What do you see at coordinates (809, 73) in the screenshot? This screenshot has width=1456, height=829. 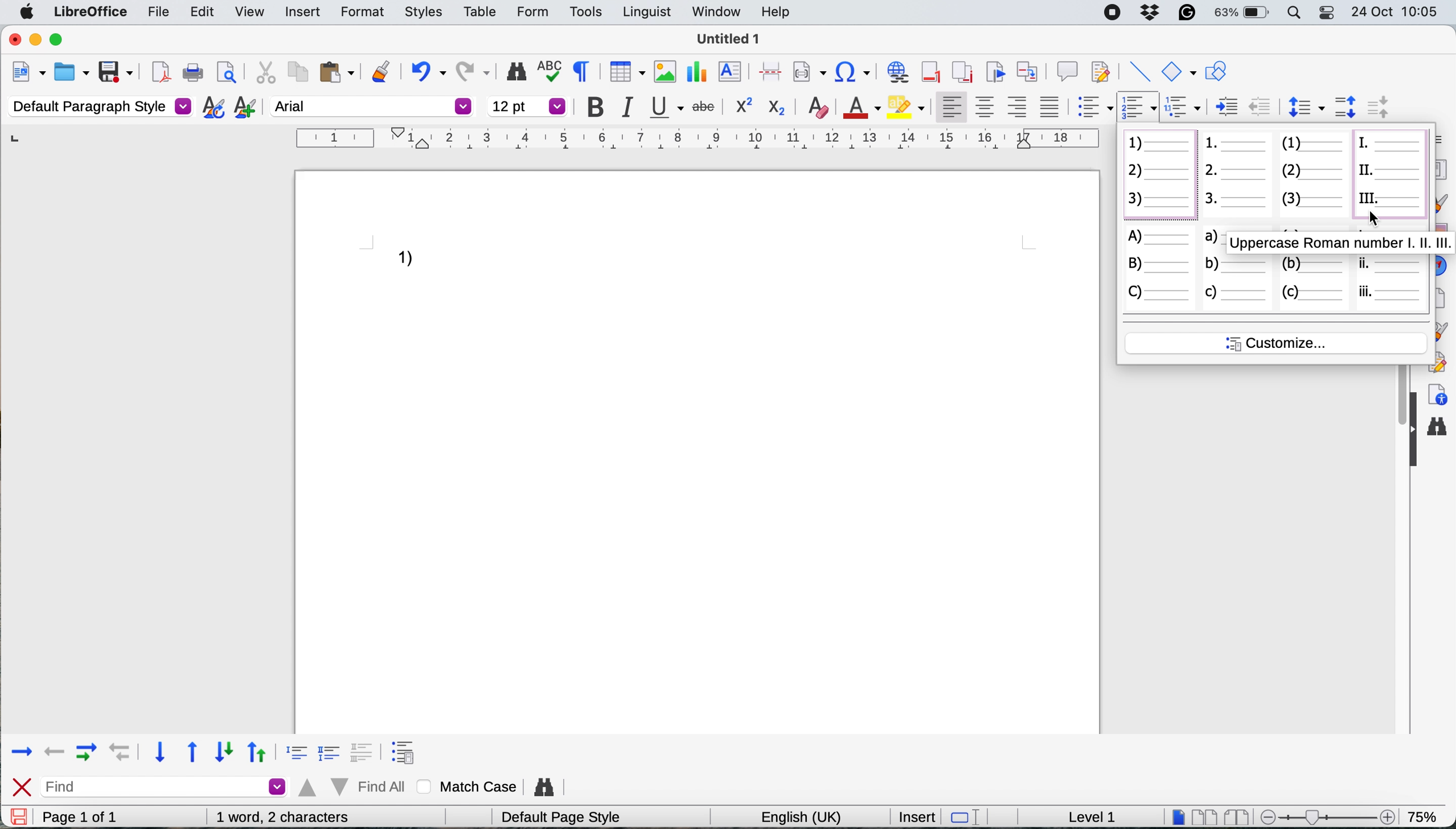 I see `insert field` at bounding box center [809, 73].